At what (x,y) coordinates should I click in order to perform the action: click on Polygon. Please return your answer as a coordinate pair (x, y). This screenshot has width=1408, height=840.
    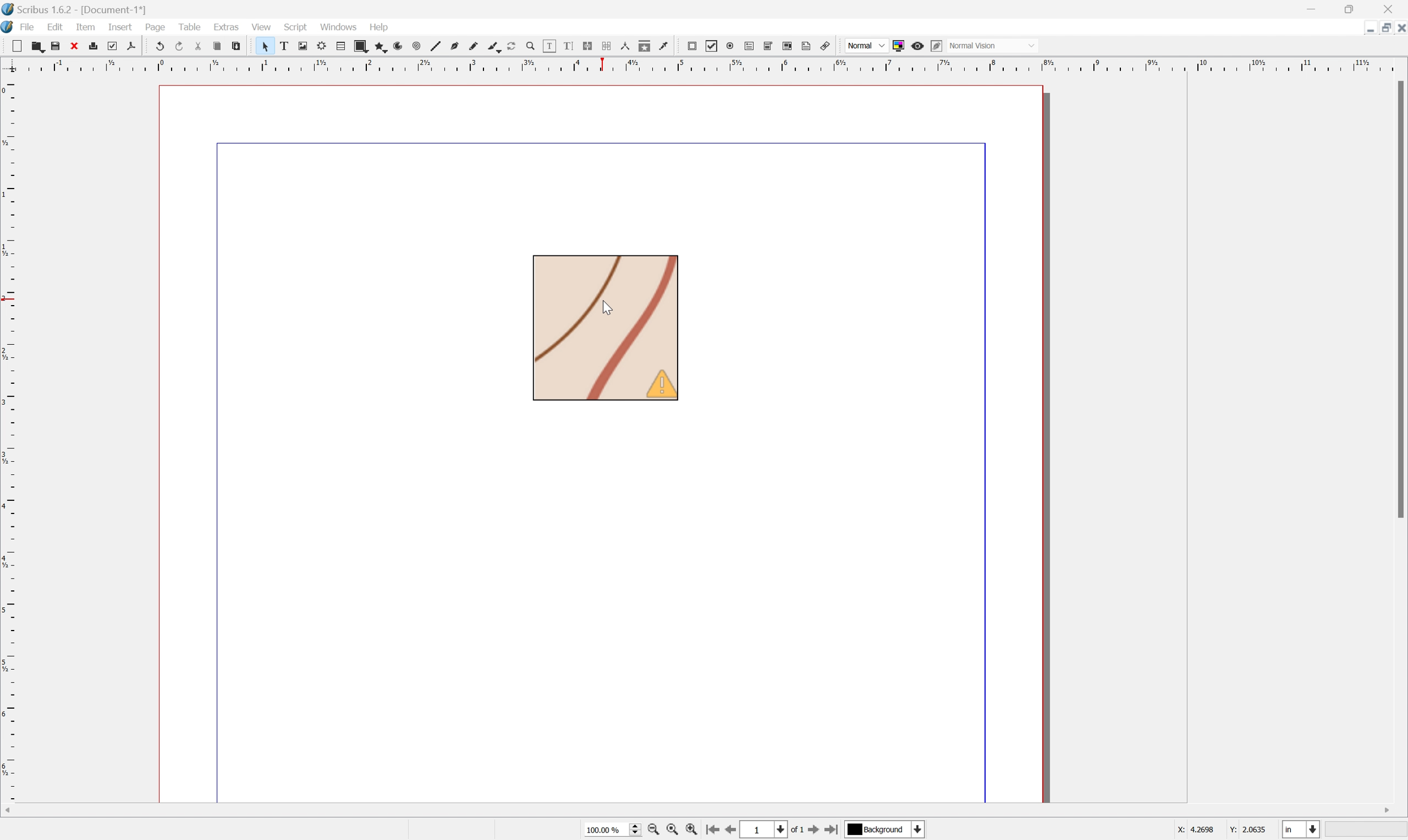
    Looking at the image, I should click on (382, 48).